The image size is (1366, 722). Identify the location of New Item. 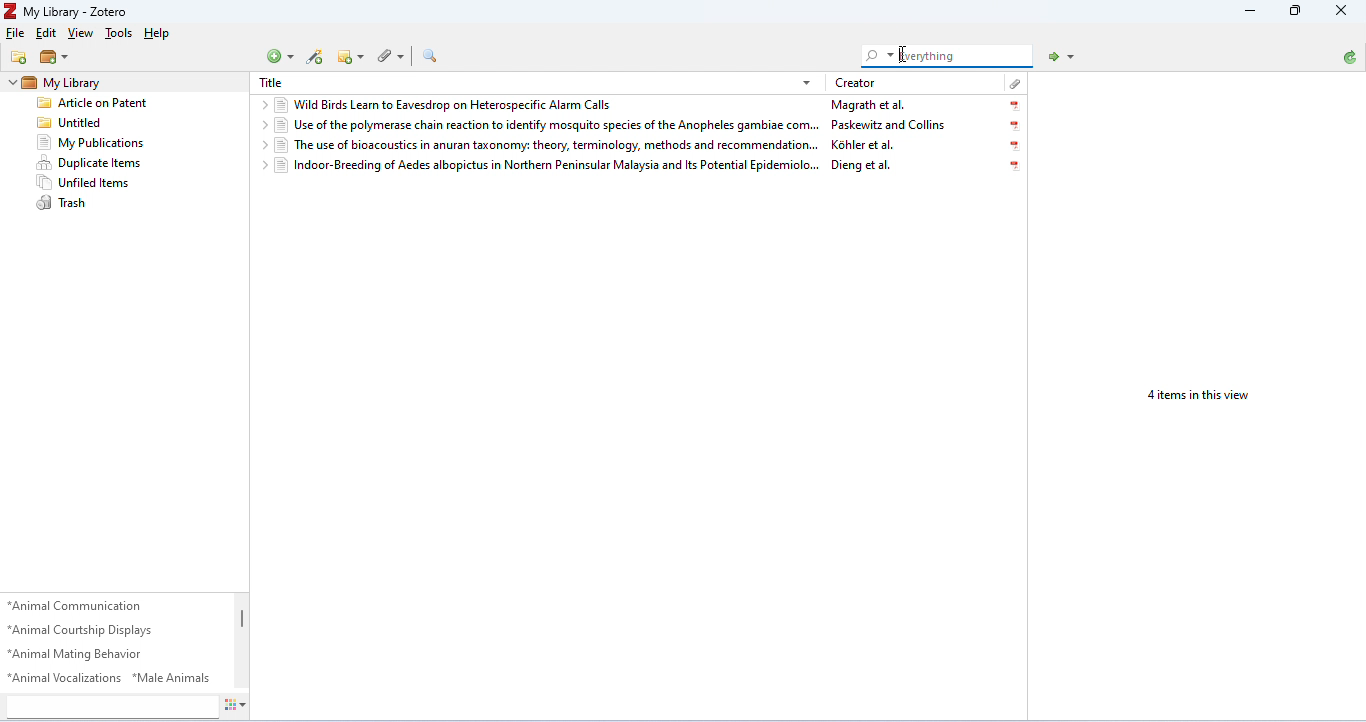
(280, 56).